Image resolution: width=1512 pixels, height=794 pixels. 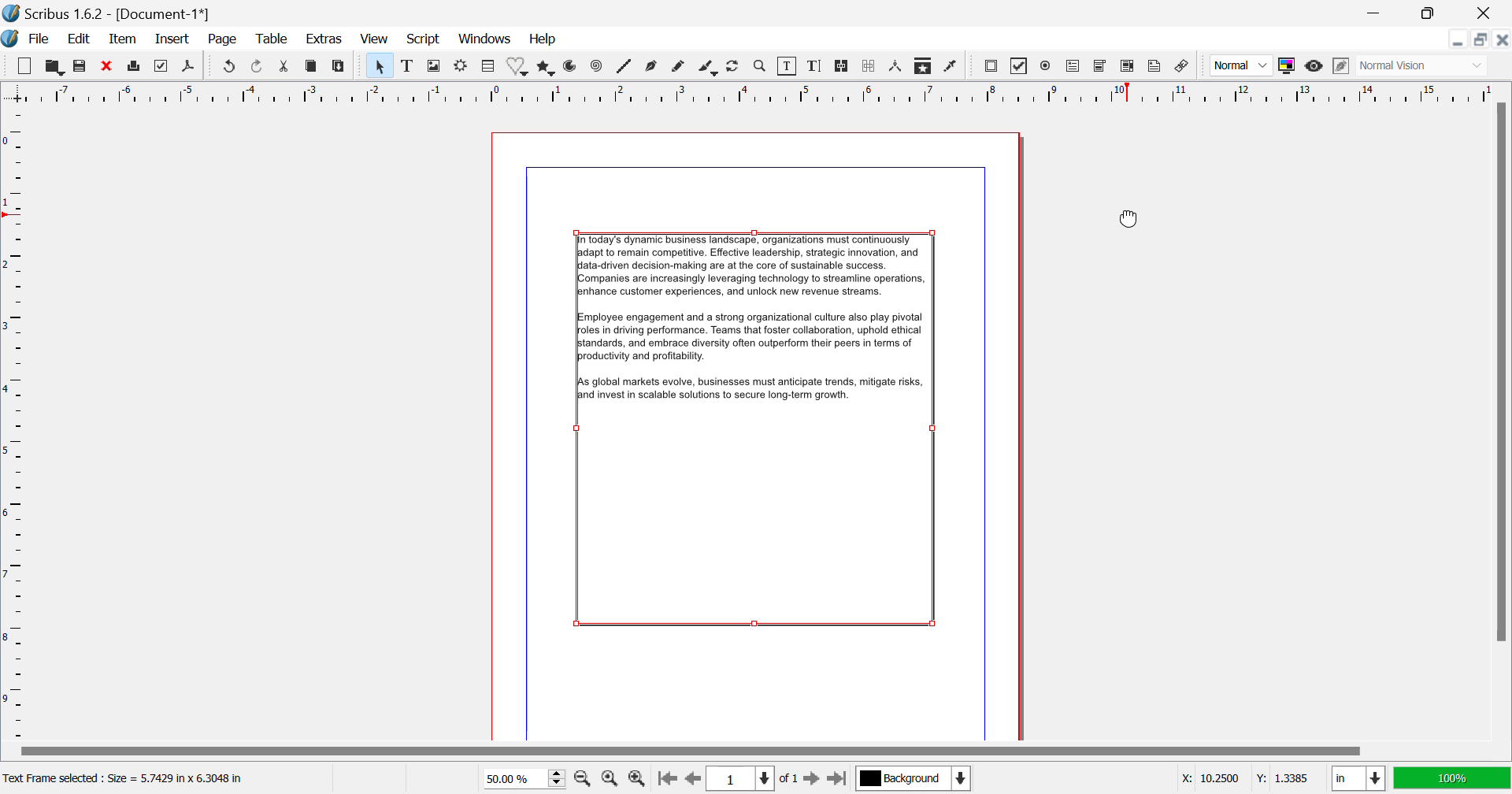 I want to click on Pdf Radio Button, so click(x=1045, y=66).